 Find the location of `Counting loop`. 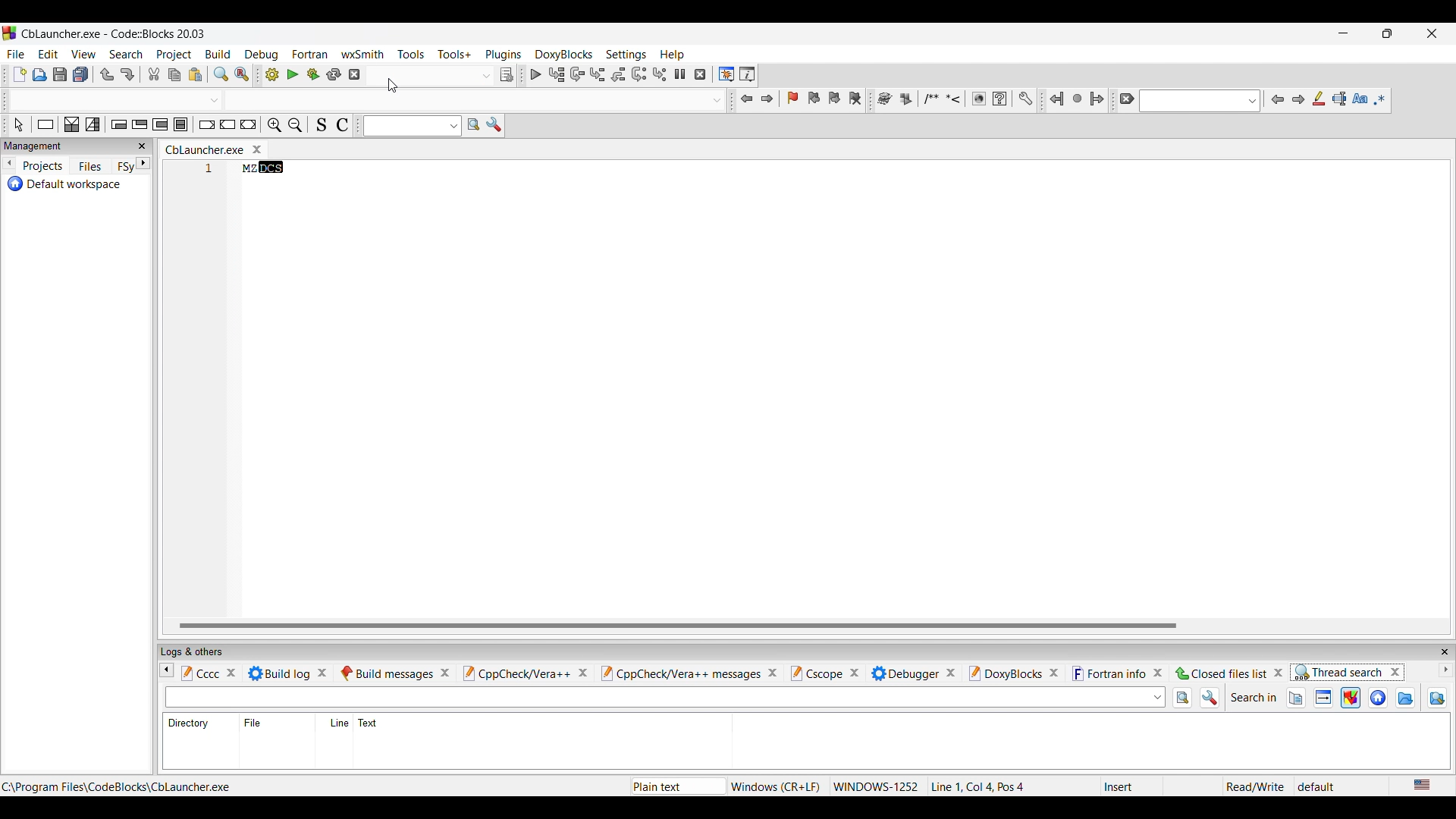

Counting loop is located at coordinates (161, 124).